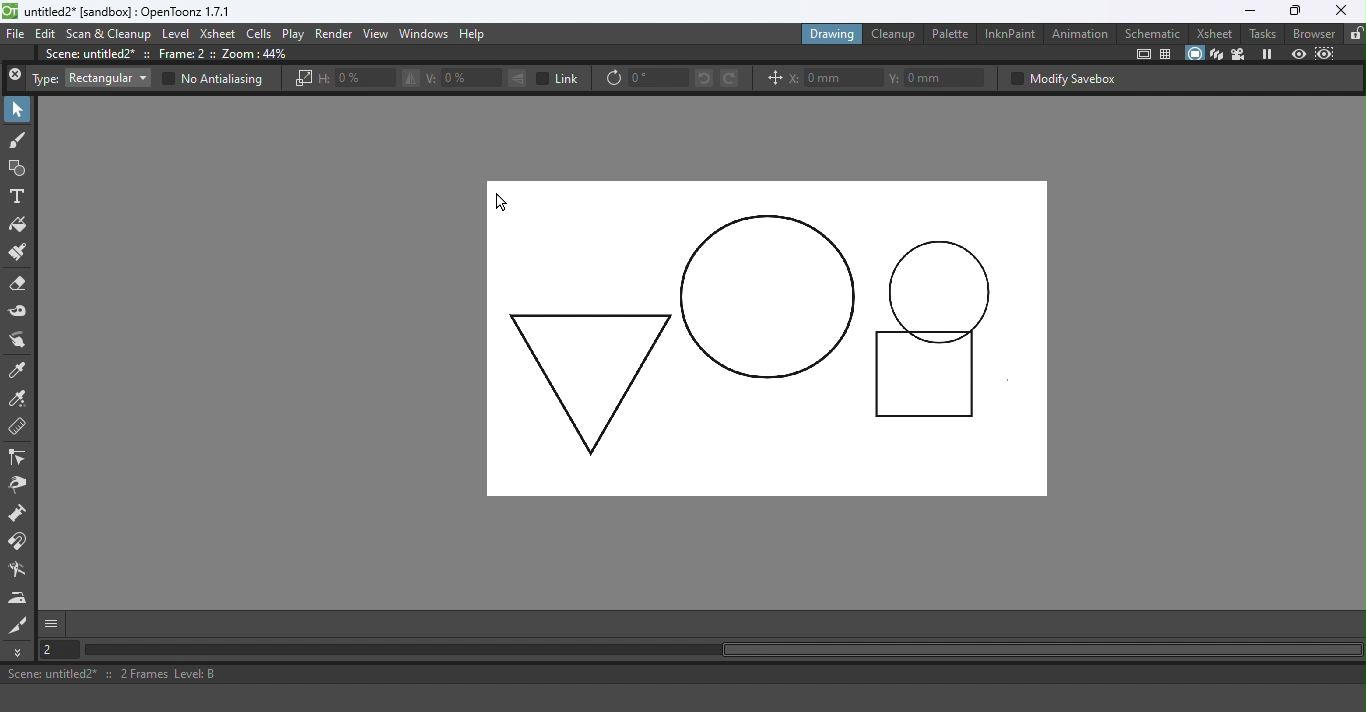 The width and height of the screenshot is (1366, 712). Describe the element at coordinates (613, 79) in the screenshot. I see `Rotate` at that location.